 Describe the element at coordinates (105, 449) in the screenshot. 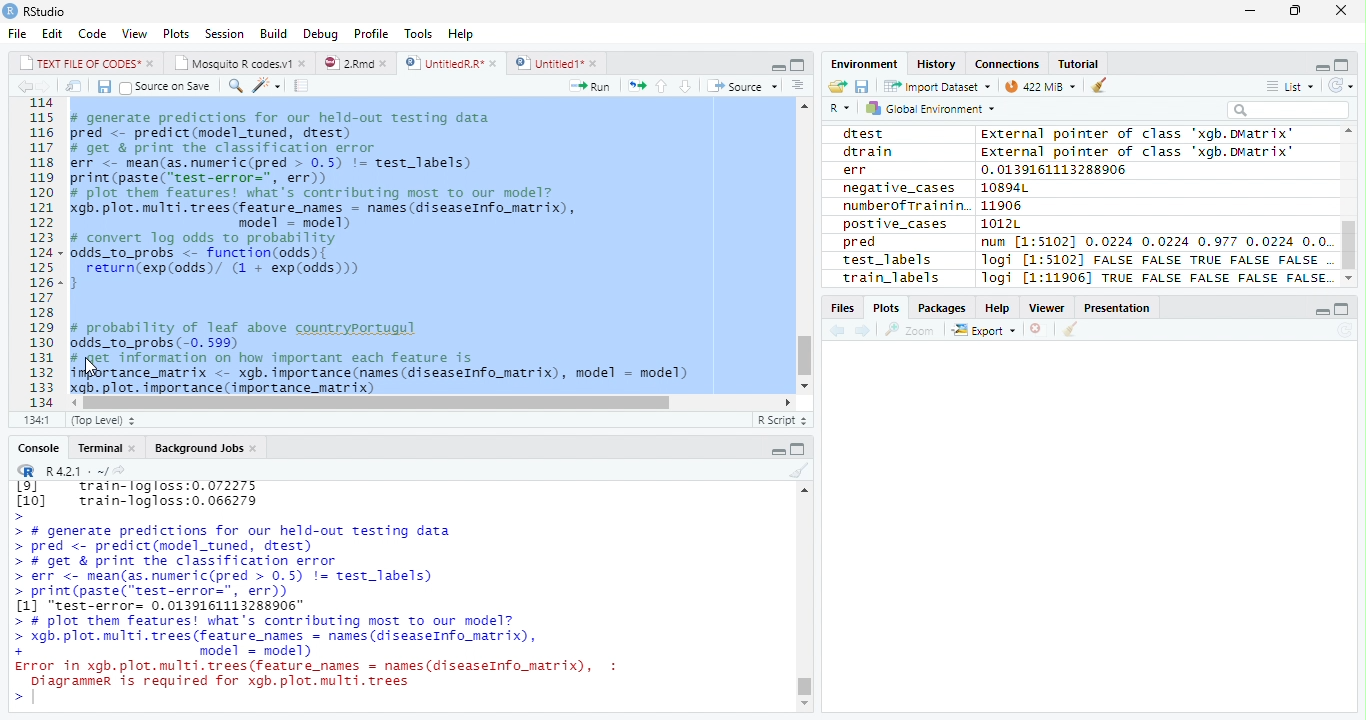

I see `Terminal` at that location.